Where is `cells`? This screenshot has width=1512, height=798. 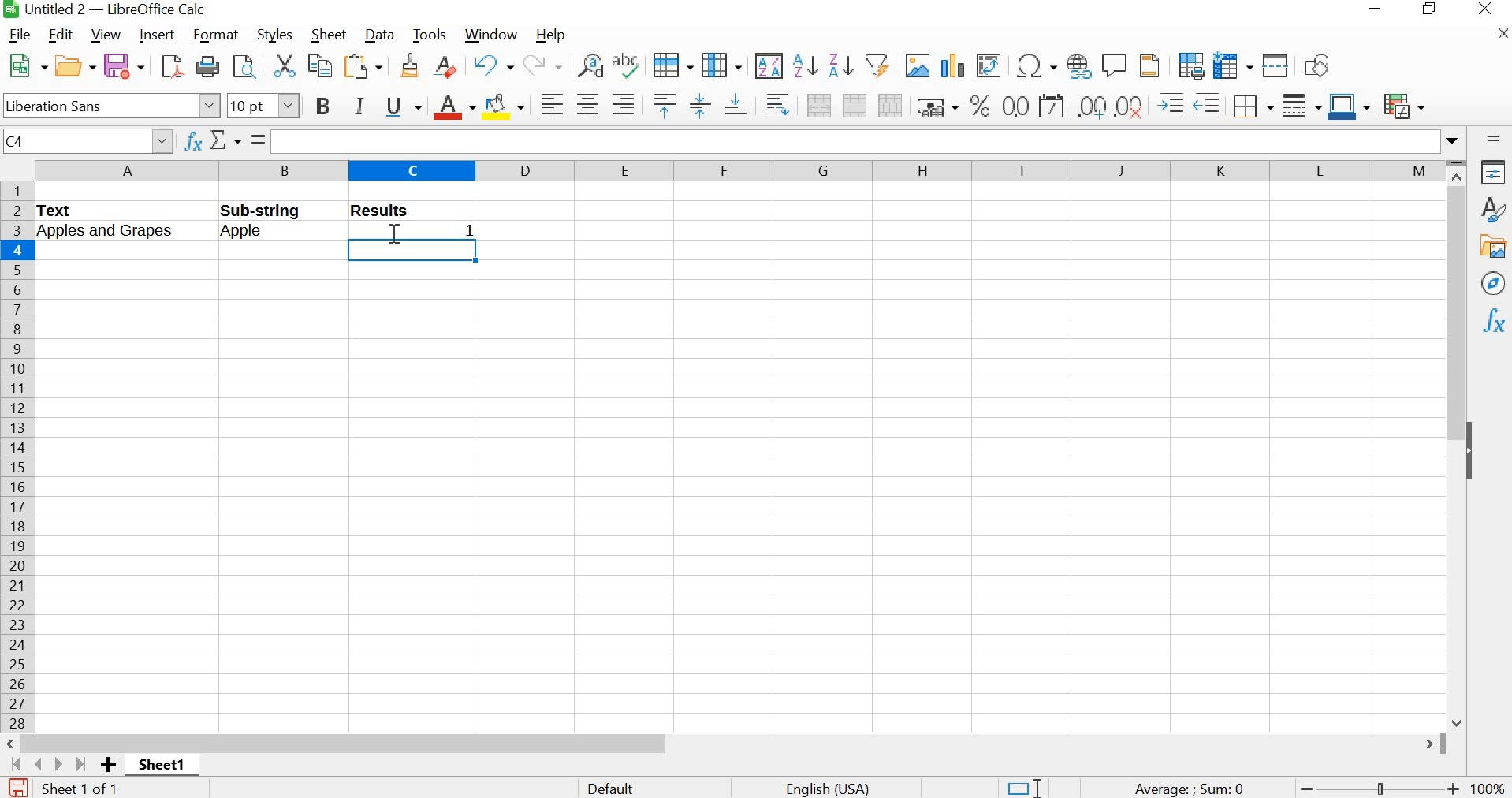 cells is located at coordinates (962, 223).